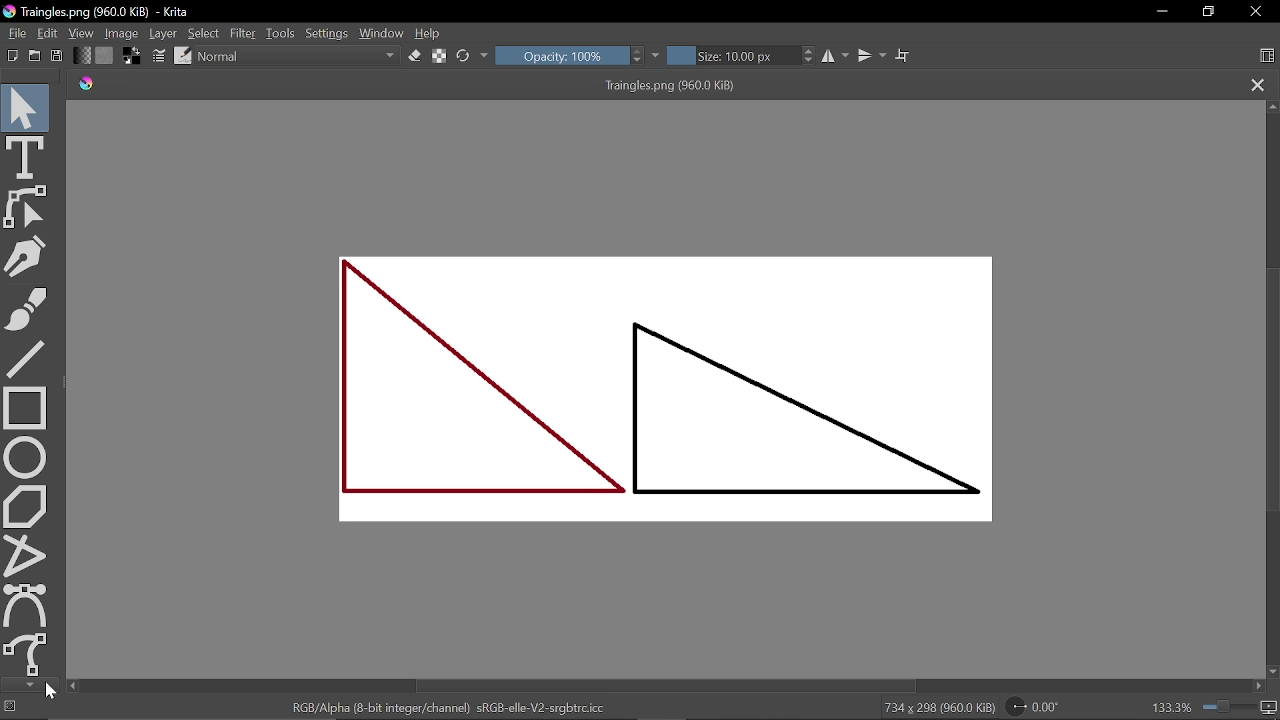 This screenshot has width=1280, height=720. Describe the element at coordinates (660, 687) in the screenshot. I see `Horizontal scrollbar` at that location.